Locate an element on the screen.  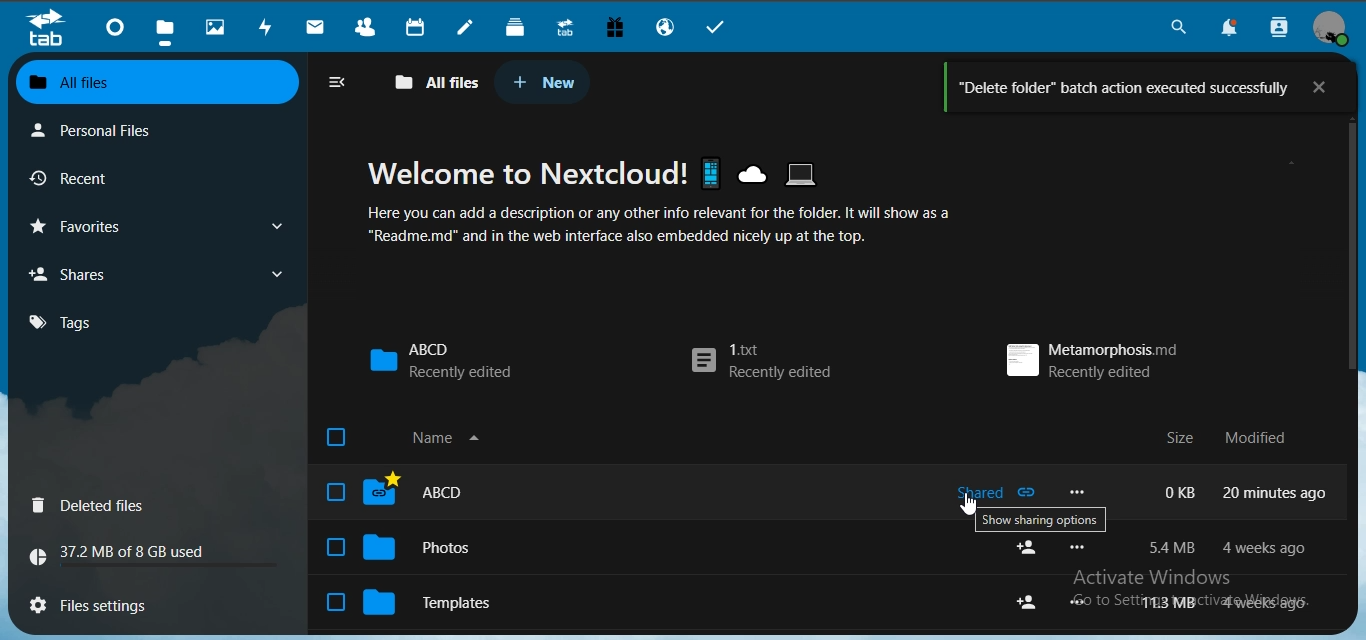
contacts is located at coordinates (368, 25).